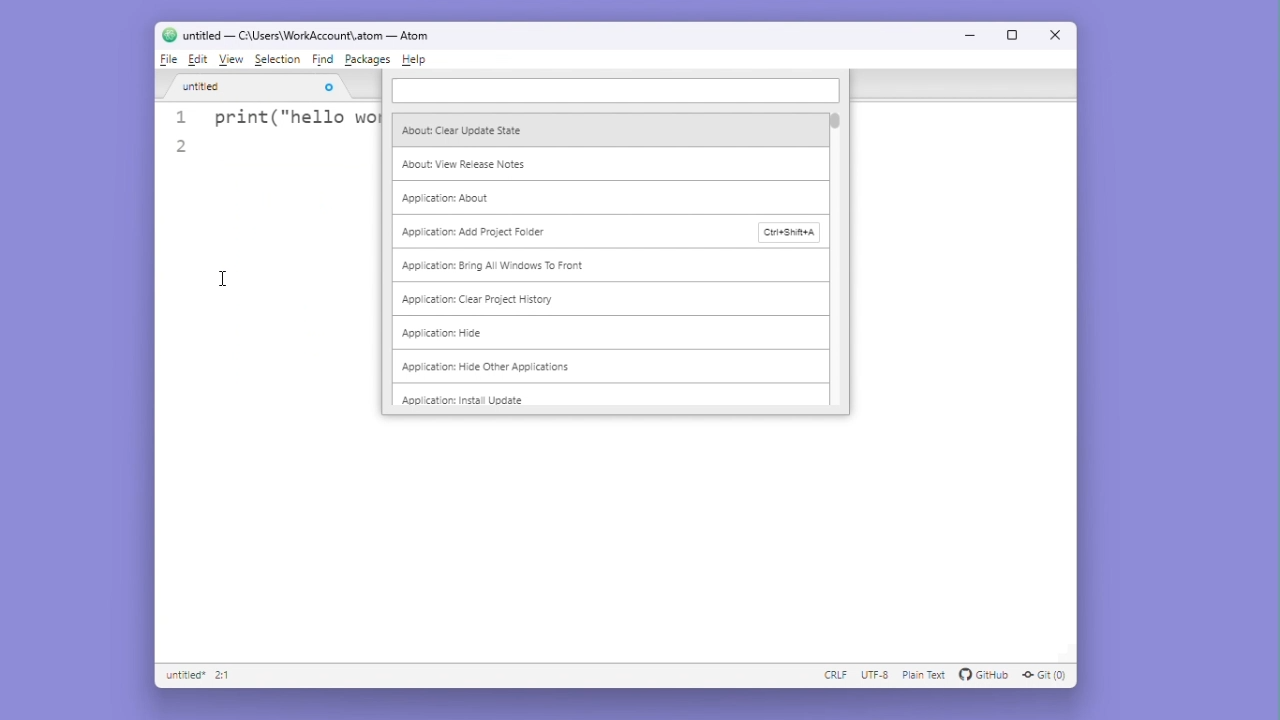  I want to click on ‘untitled — CA\Users\WorkAccount\ atom — Atom, so click(295, 35).